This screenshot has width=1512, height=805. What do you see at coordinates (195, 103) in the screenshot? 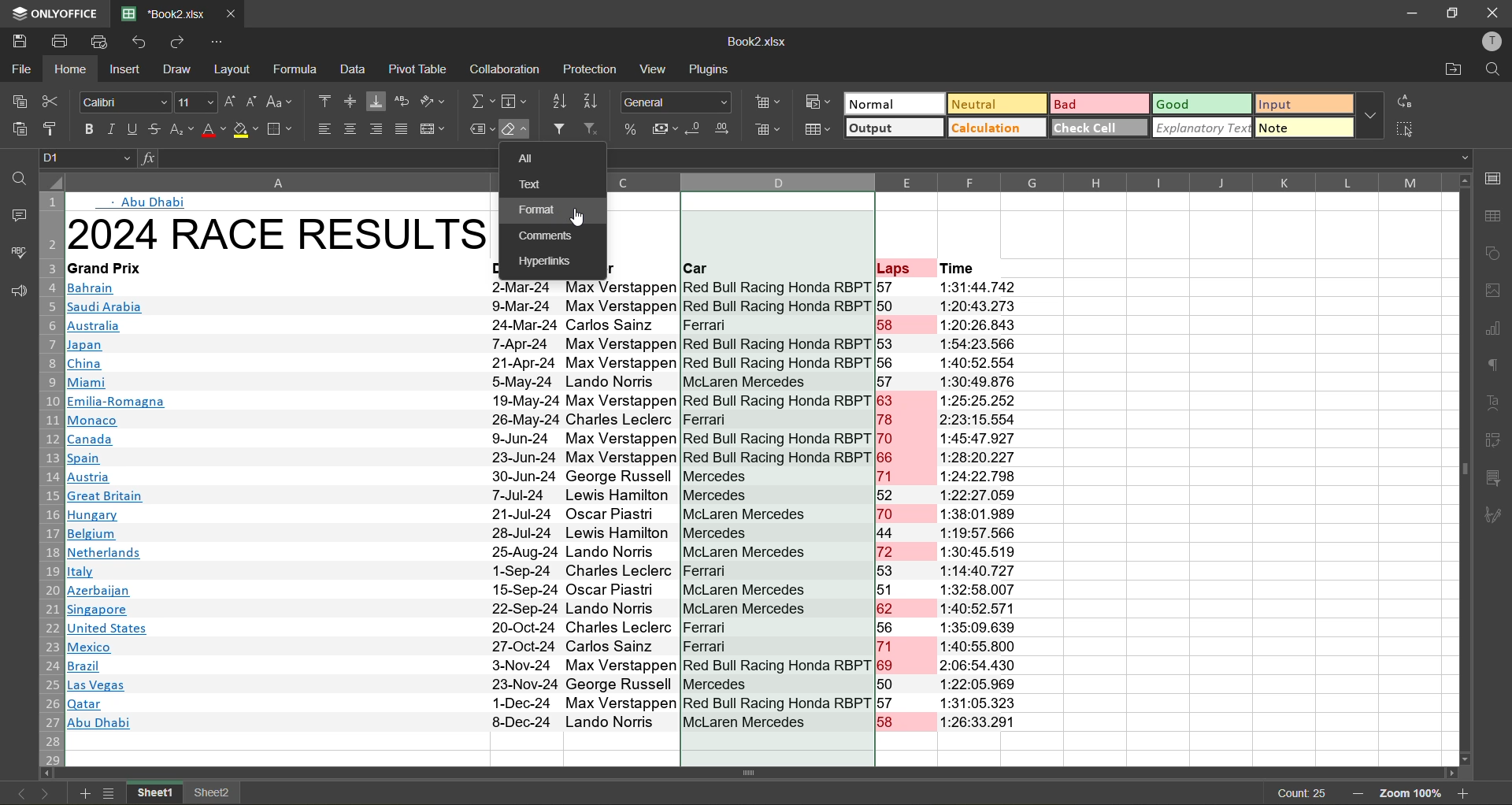
I see `11` at bounding box center [195, 103].